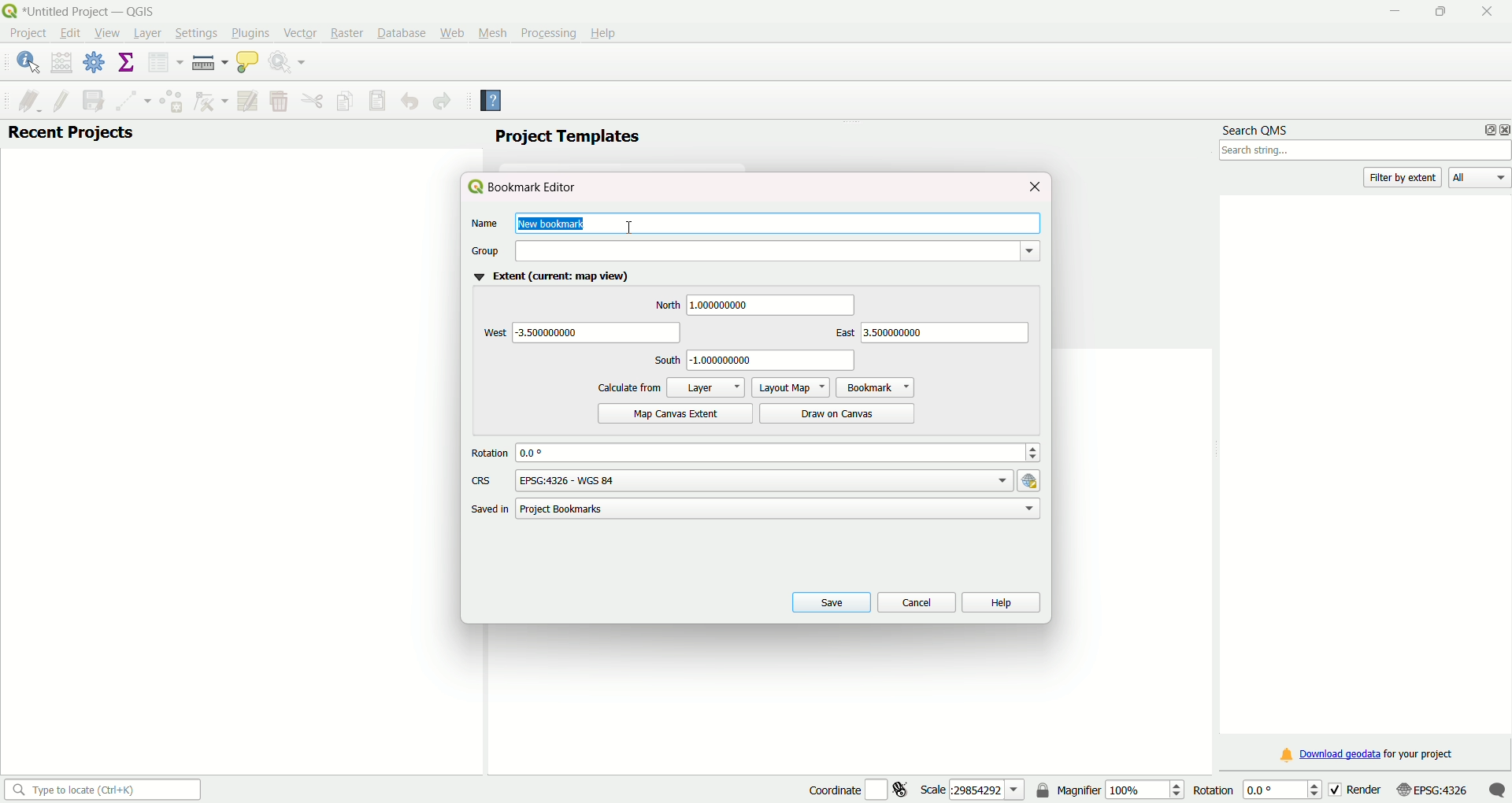 This screenshot has height=803, width=1512. What do you see at coordinates (666, 305) in the screenshot?
I see `north` at bounding box center [666, 305].